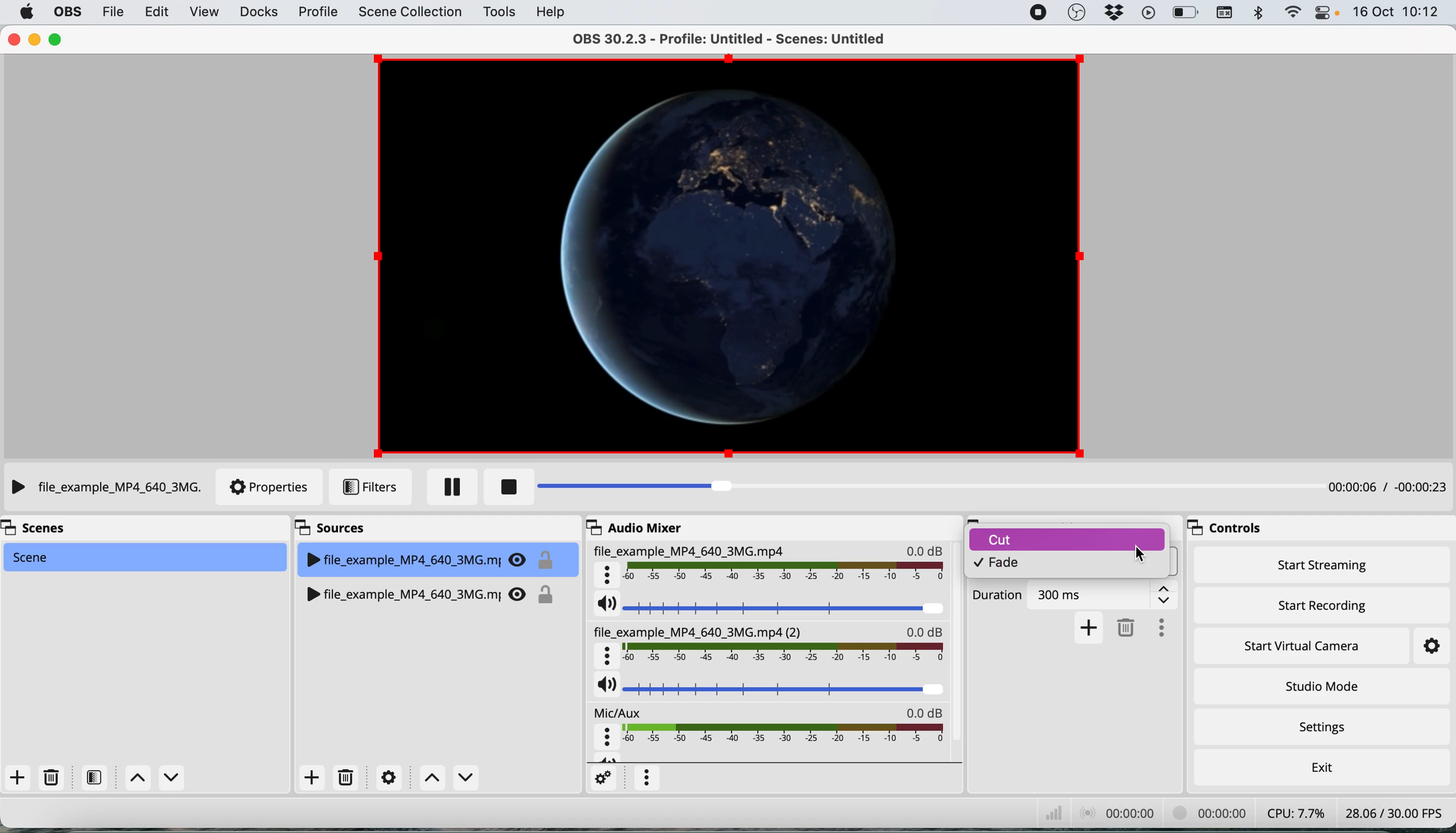 Image resolution: width=1456 pixels, height=833 pixels. What do you see at coordinates (767, 564) in the screenshot?
I see `File_example_MP4_640_3MG` at bounding box center [767, 564].